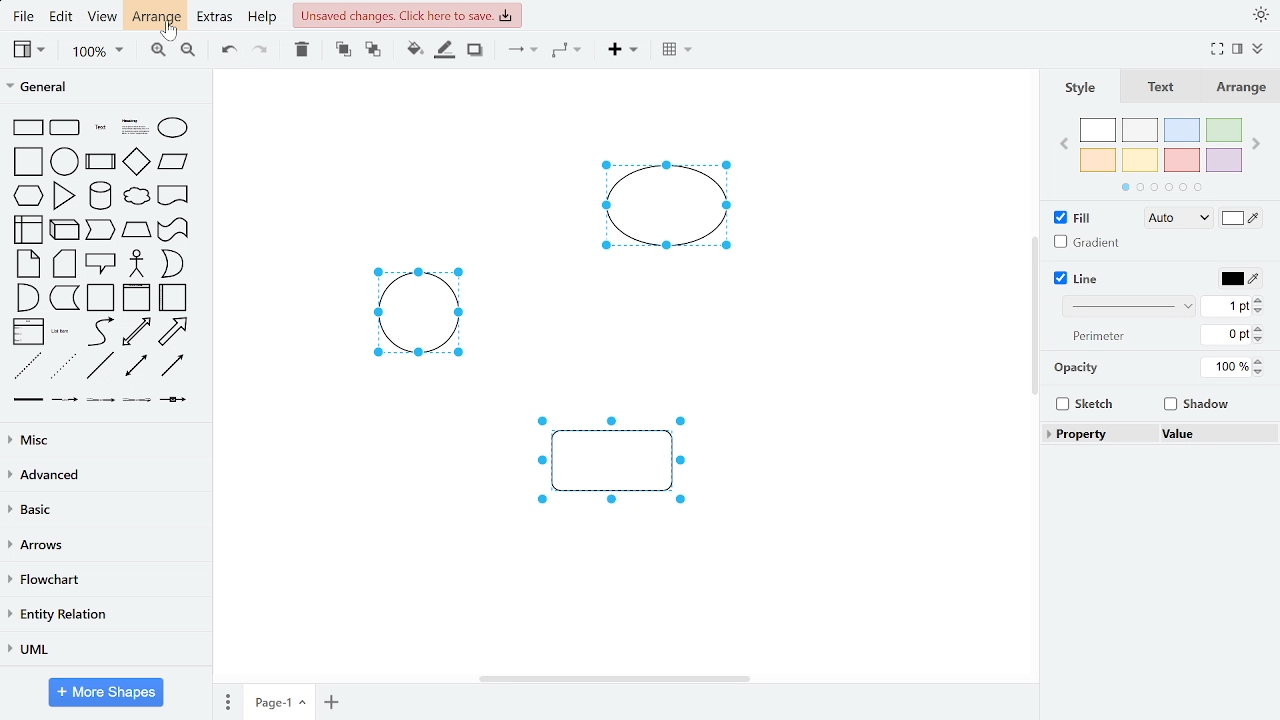 The height and width of the screenshot is (720, 1280). What do you see at coordinates (105, 18) in the screenshot?
I see `view` at bounding box center [105, 18].